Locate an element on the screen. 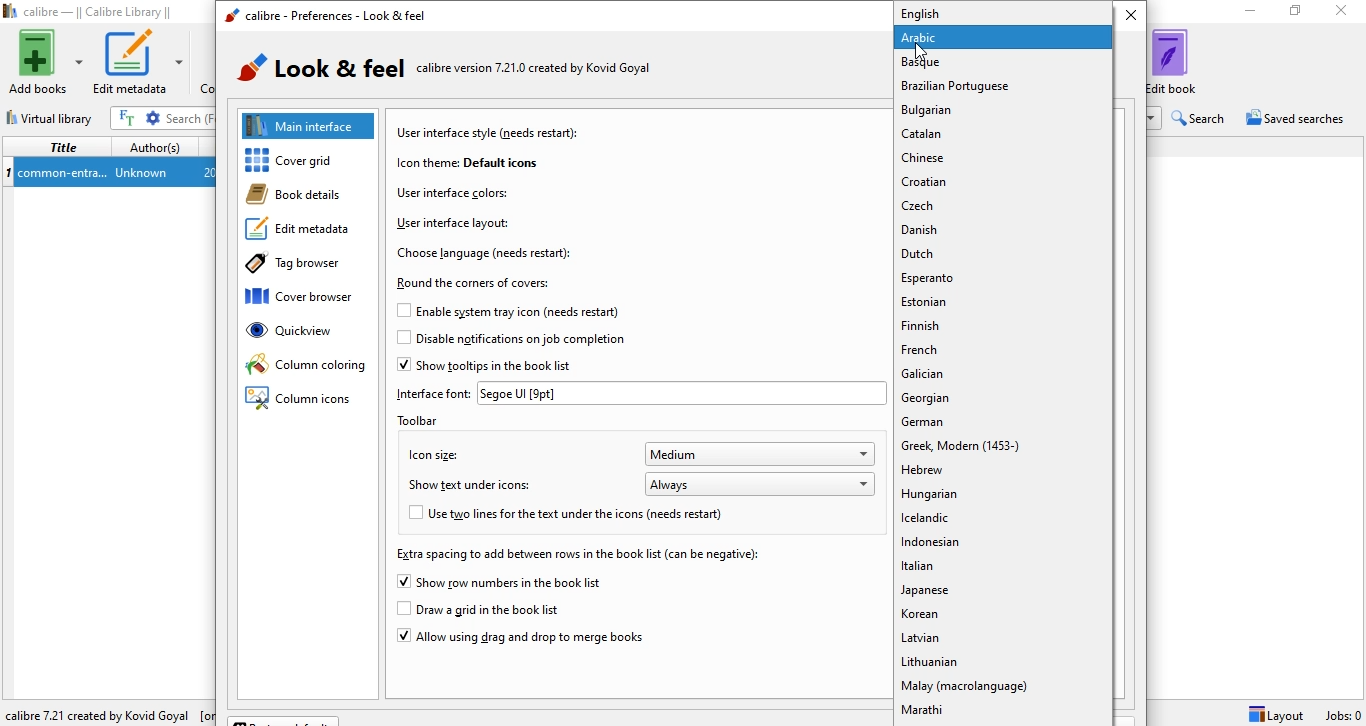  italian is located at coordinates (1005, 568).